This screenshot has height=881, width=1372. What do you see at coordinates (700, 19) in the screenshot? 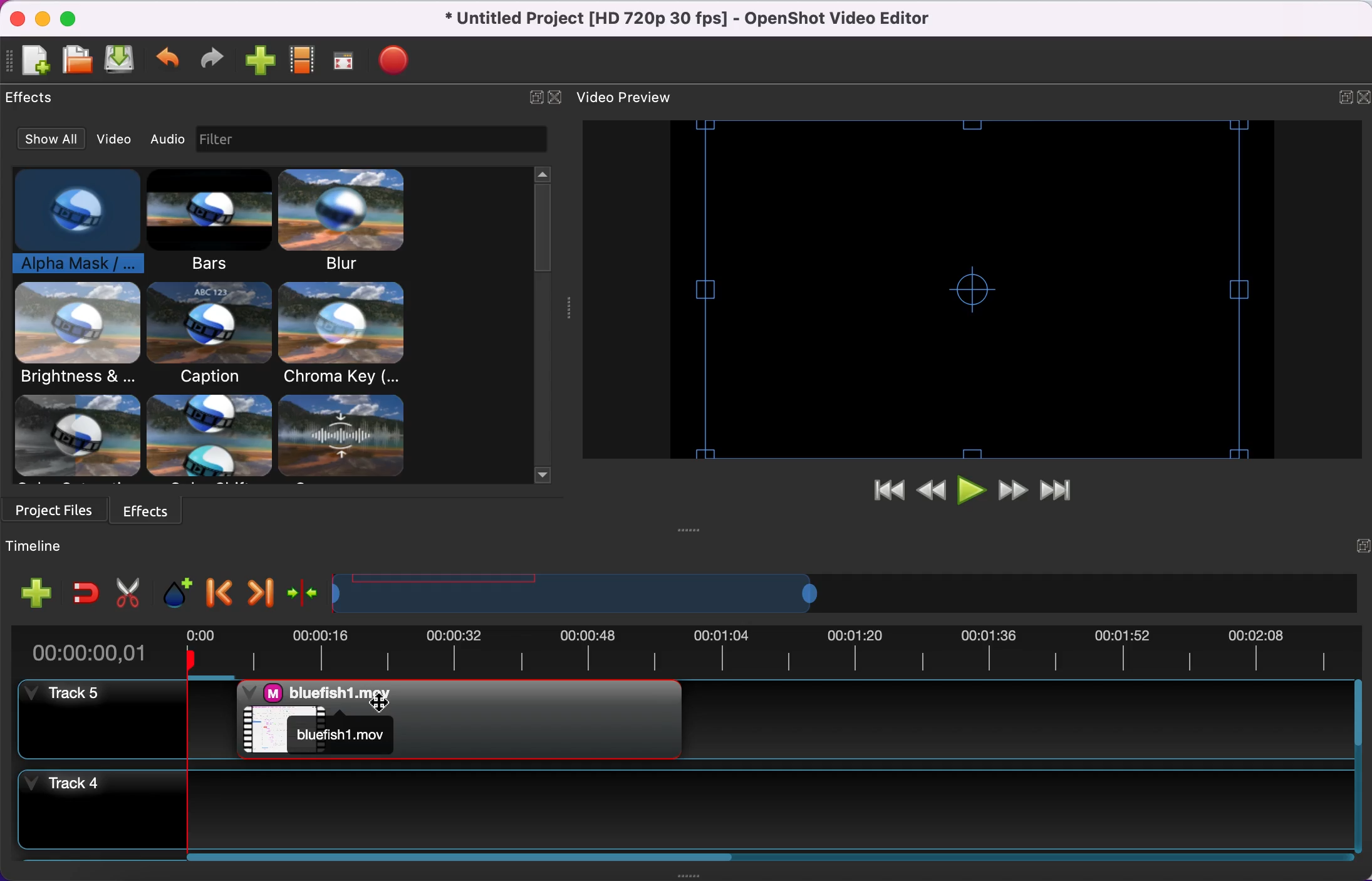
I see `title` at bounding box center [700, 19].